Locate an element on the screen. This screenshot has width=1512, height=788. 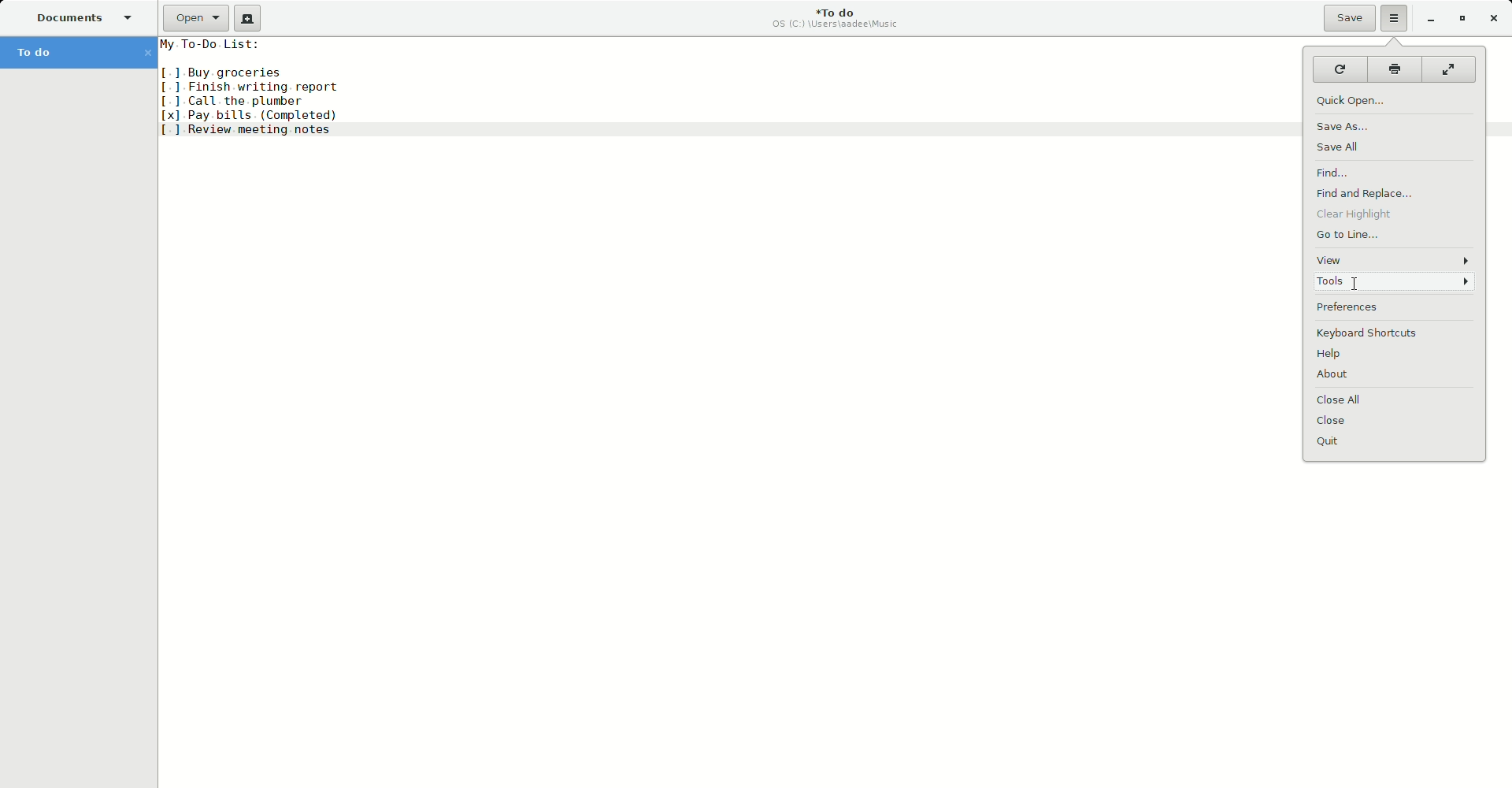
Save as is located at coordinates (1343, 127).